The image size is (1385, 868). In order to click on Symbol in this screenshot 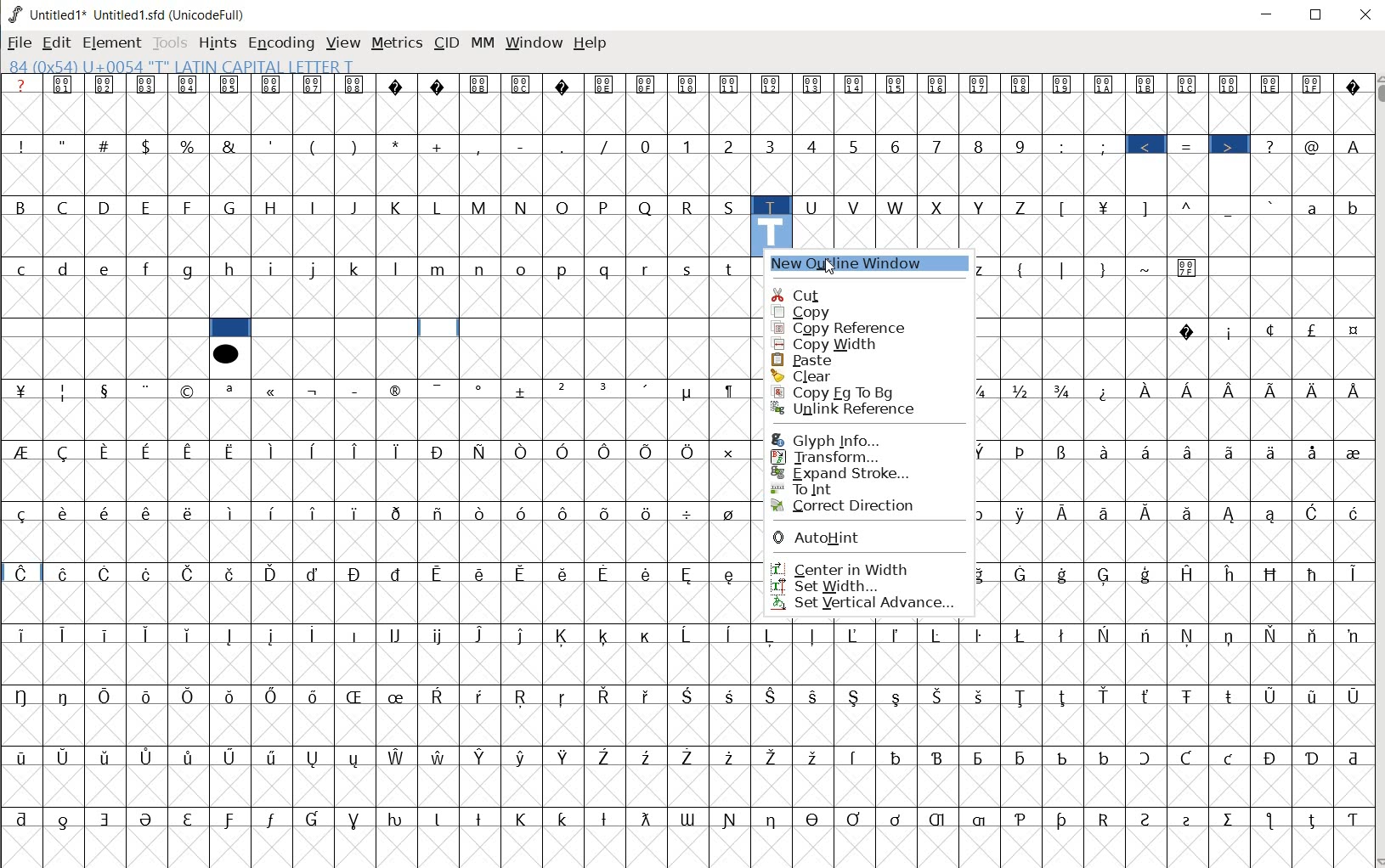, I will do `click(1273, 451)`.